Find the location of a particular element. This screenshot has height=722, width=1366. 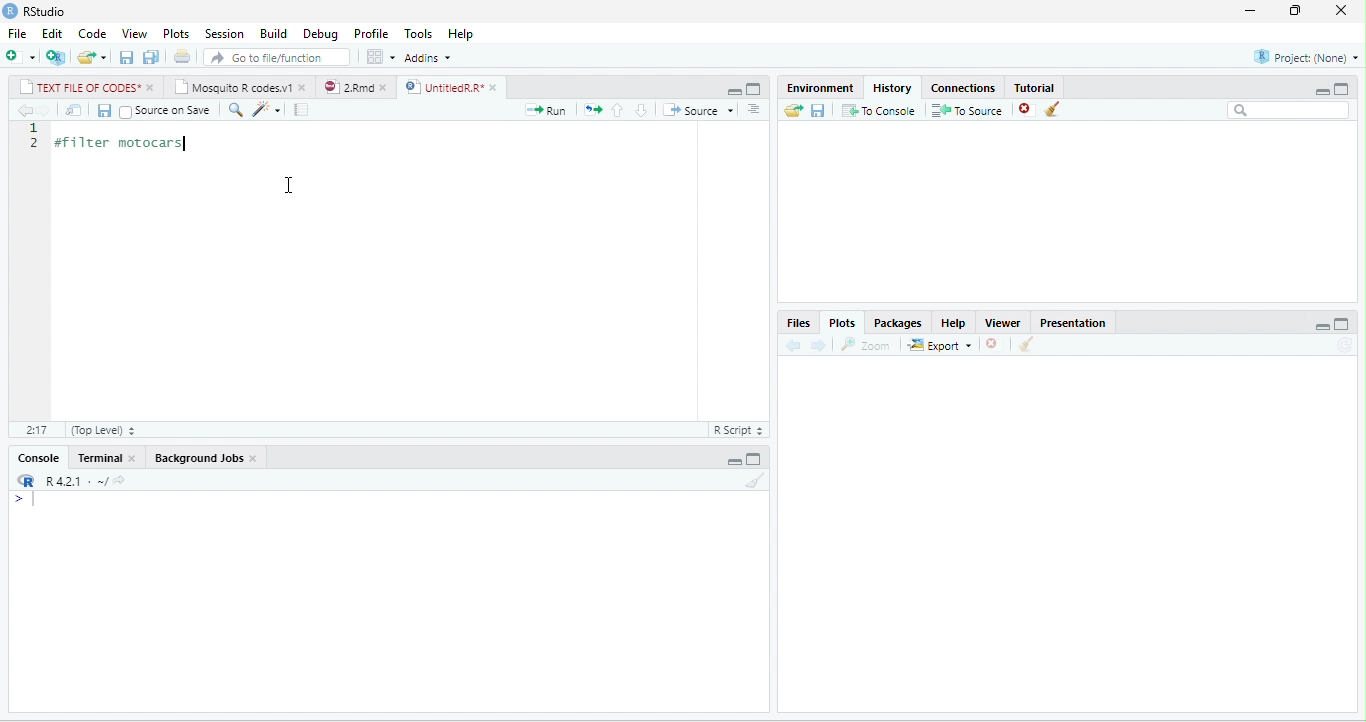

Help is located at coordinates (953, 323).